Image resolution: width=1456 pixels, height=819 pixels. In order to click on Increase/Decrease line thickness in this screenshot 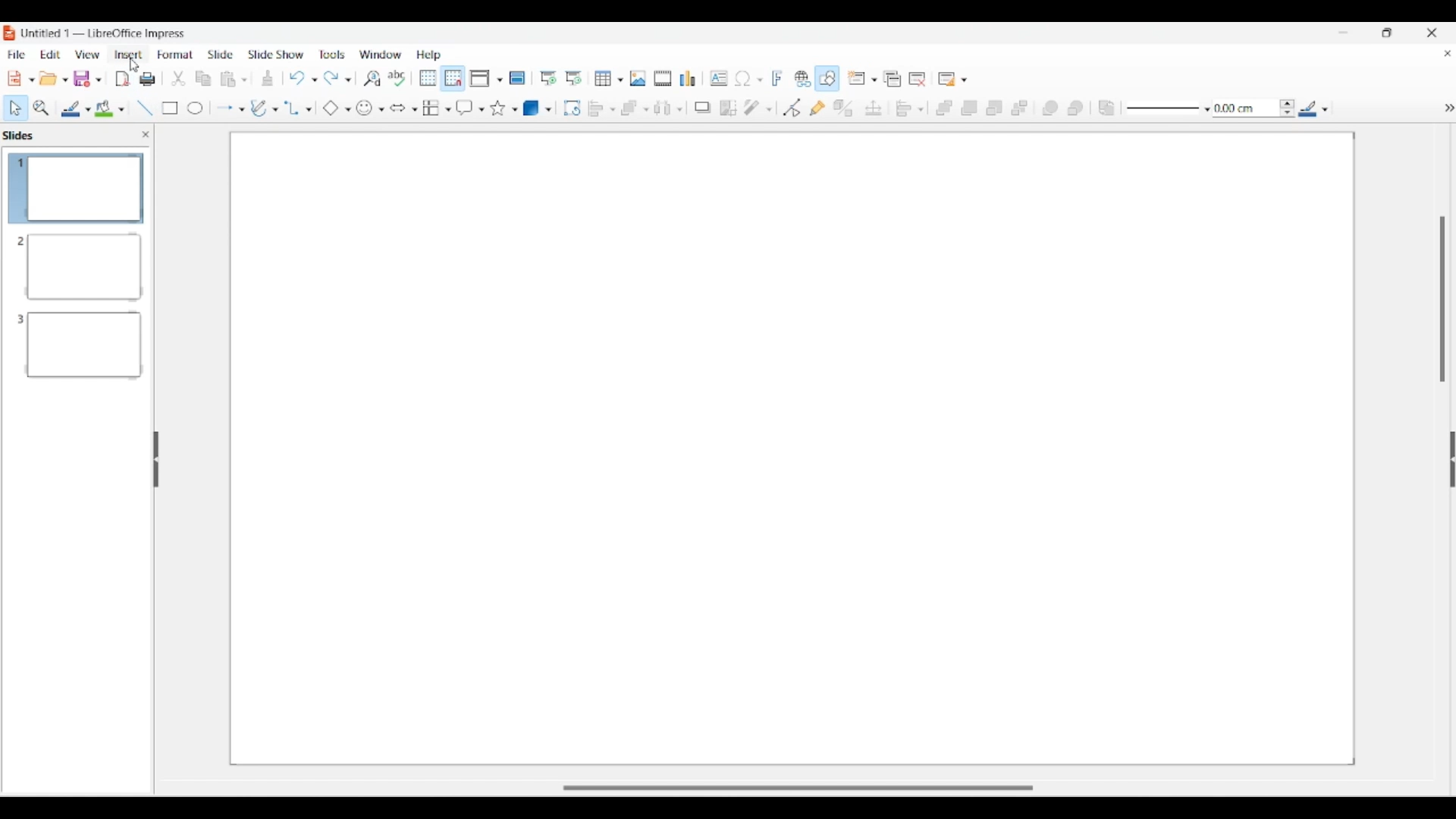, I will do `click(1288, 108)`.